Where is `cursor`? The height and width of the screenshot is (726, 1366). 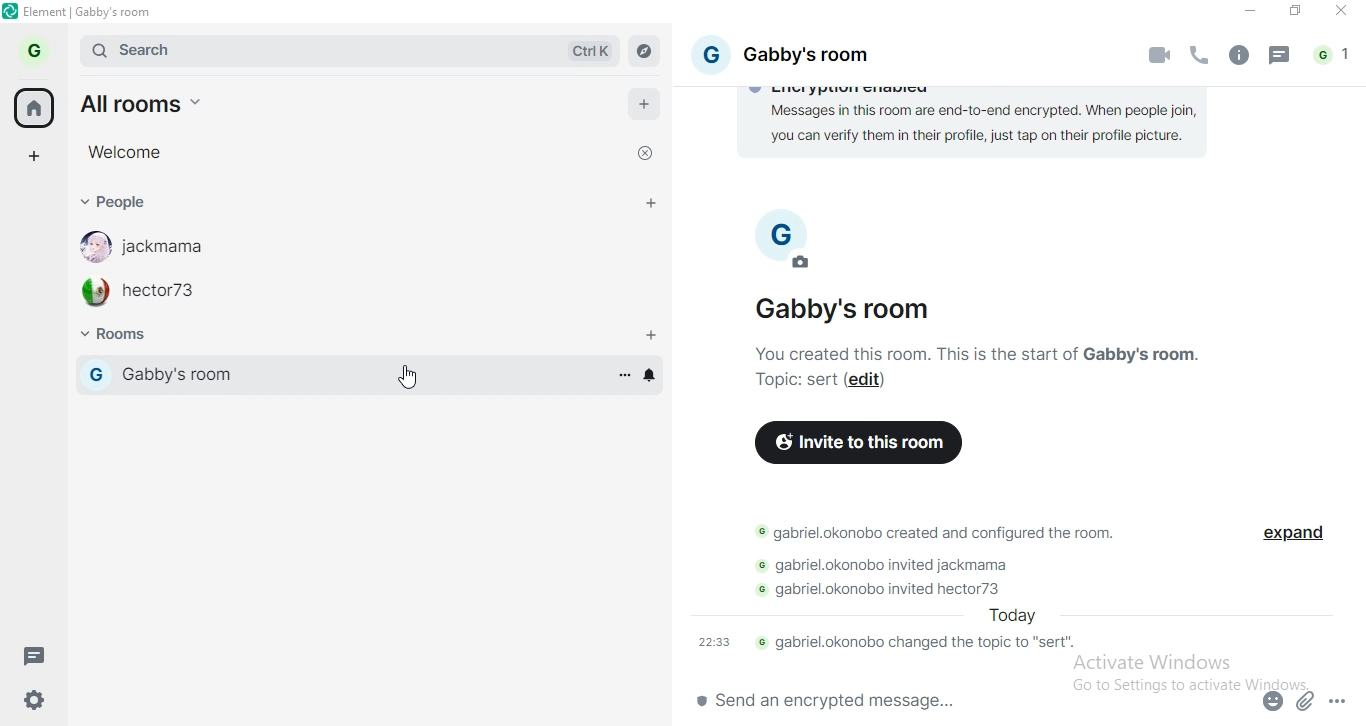 cursor is located at coordinates (405, 377).